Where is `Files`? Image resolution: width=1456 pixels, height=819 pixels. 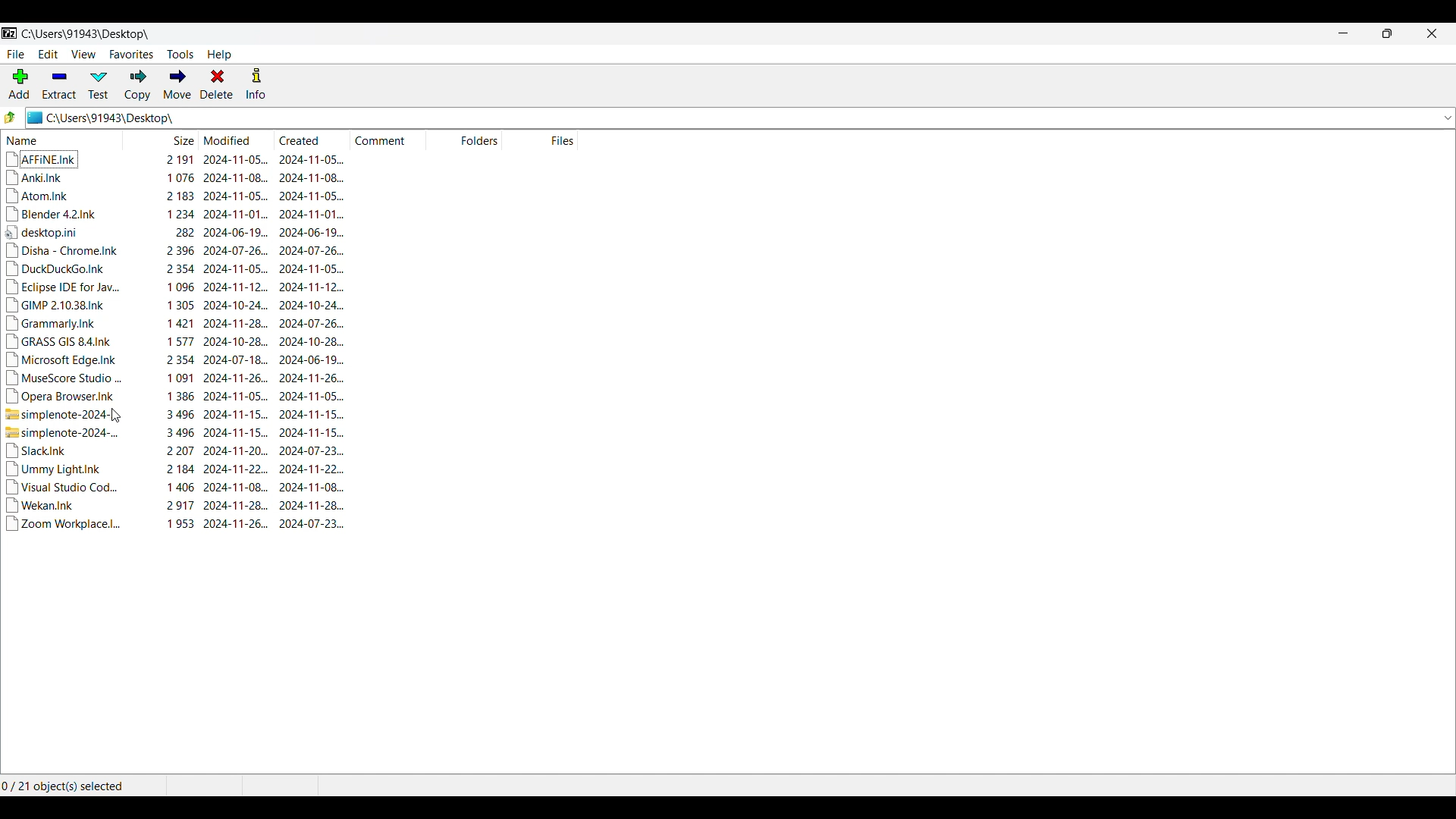 Files is located at coordinates (540, 140).